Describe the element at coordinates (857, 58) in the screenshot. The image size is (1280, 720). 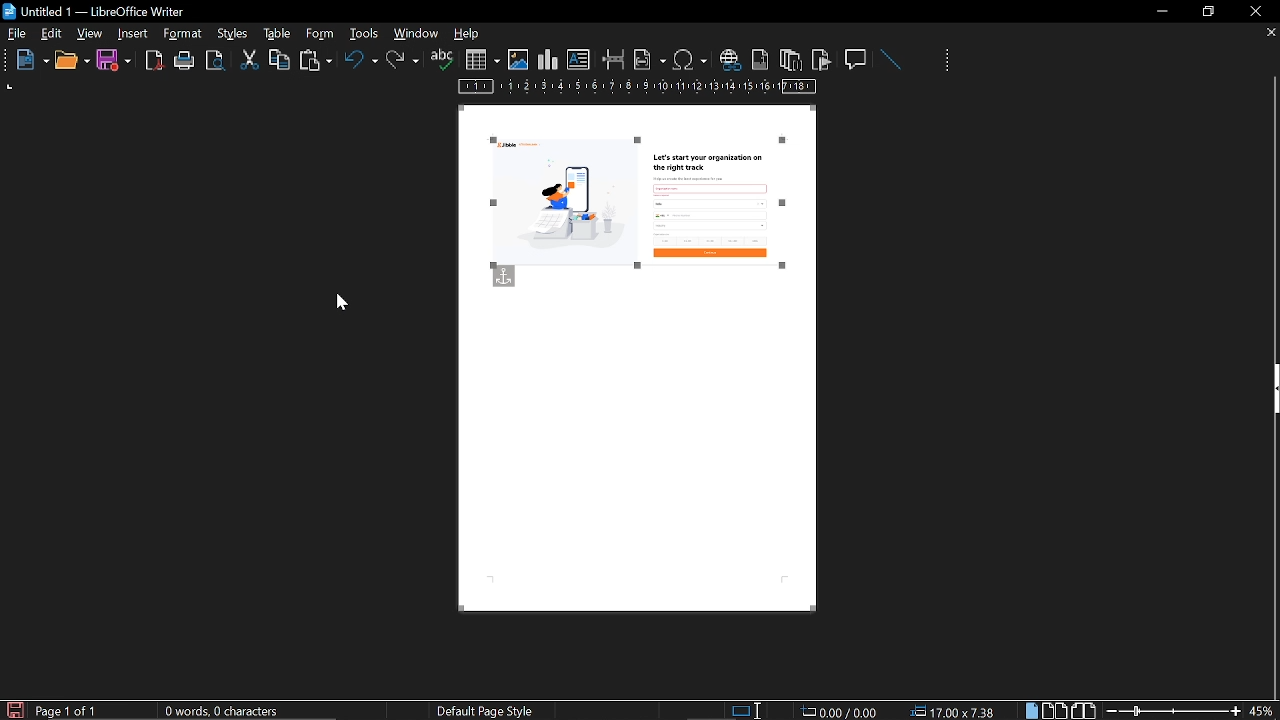
I see `insert comment` at that location.